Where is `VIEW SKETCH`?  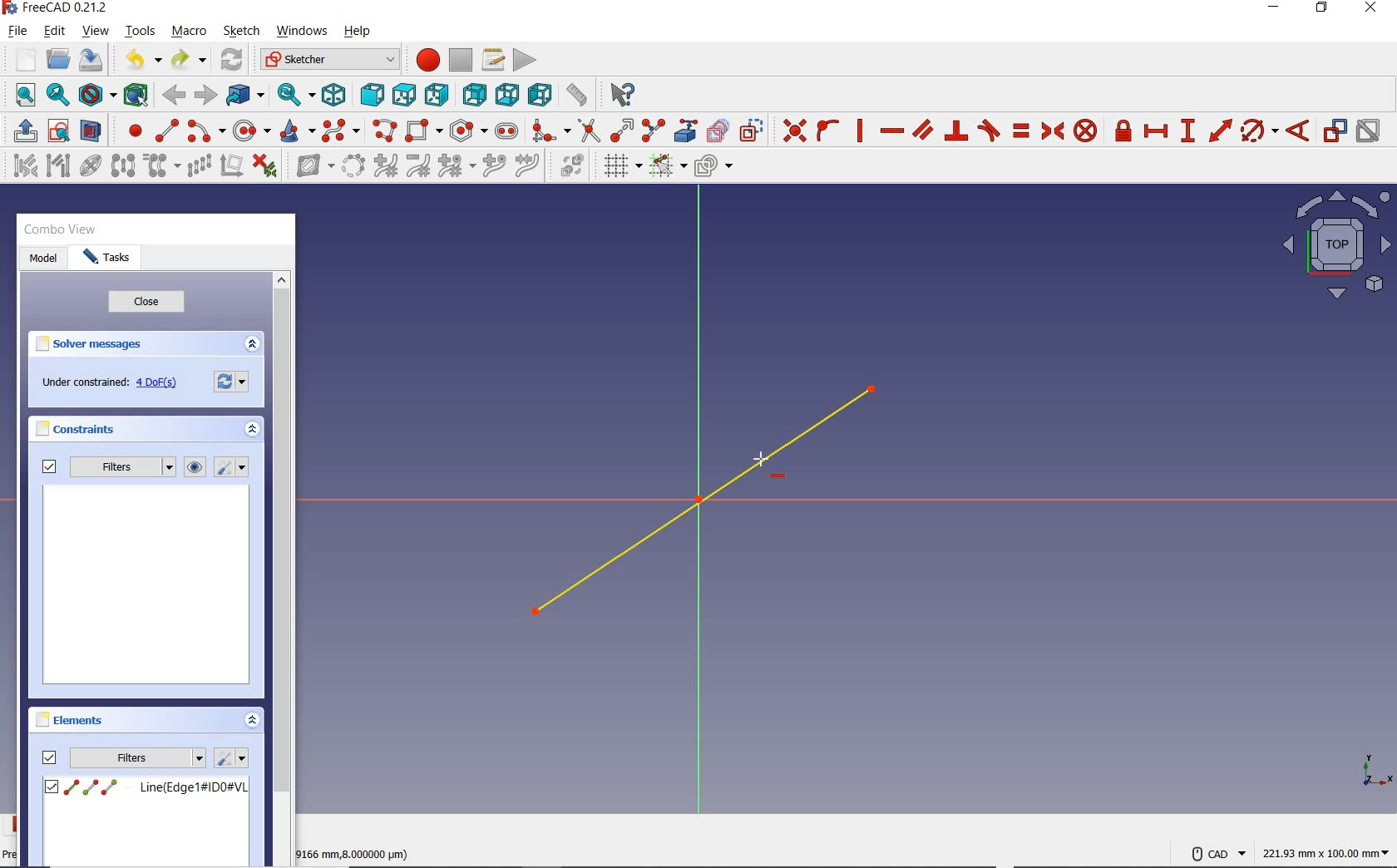 VIEW SKETCH is located at coordinates (58, 130).